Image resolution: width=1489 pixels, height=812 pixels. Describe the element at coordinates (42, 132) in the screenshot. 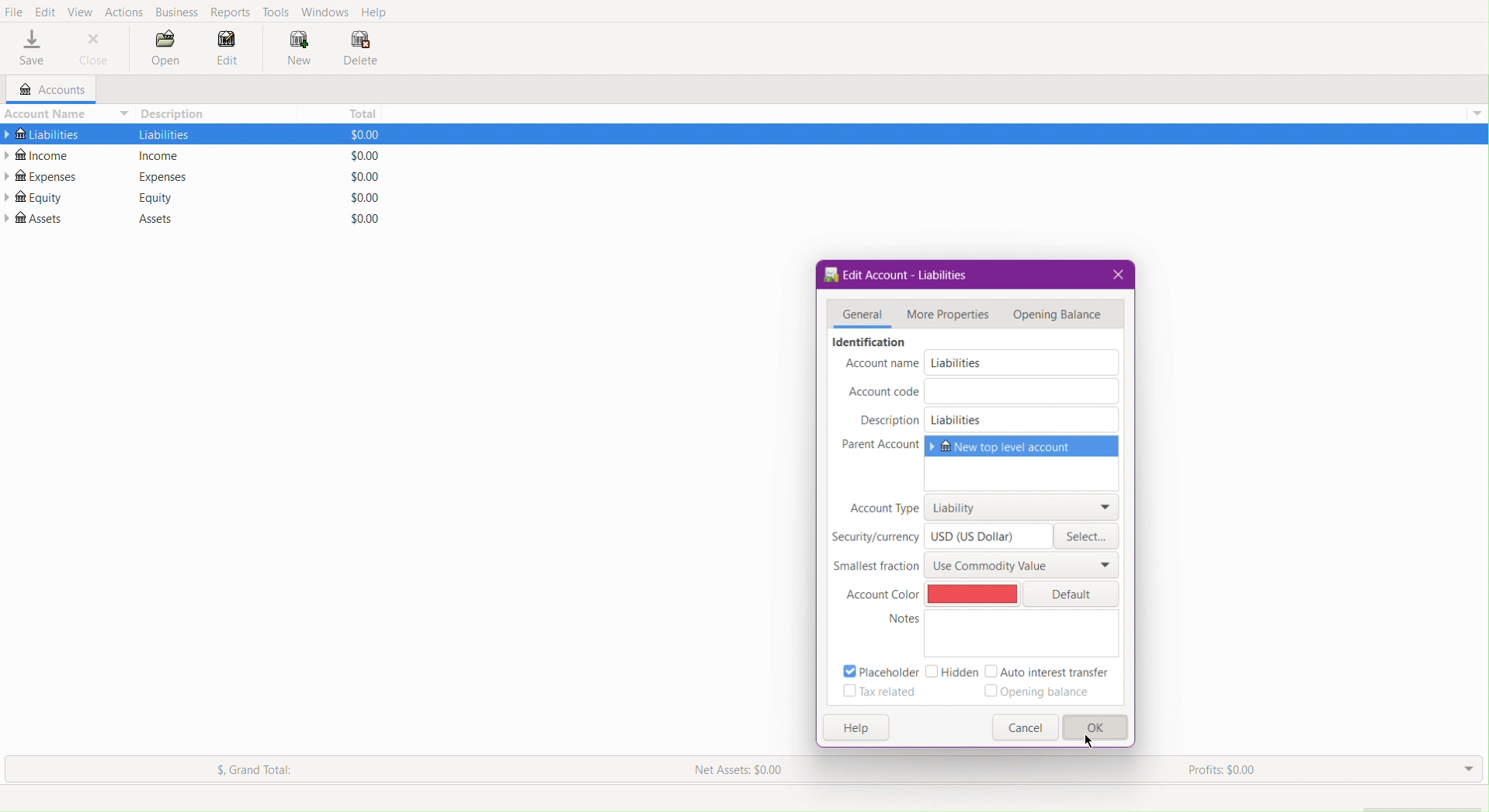

I see `Liabilities` at that location.